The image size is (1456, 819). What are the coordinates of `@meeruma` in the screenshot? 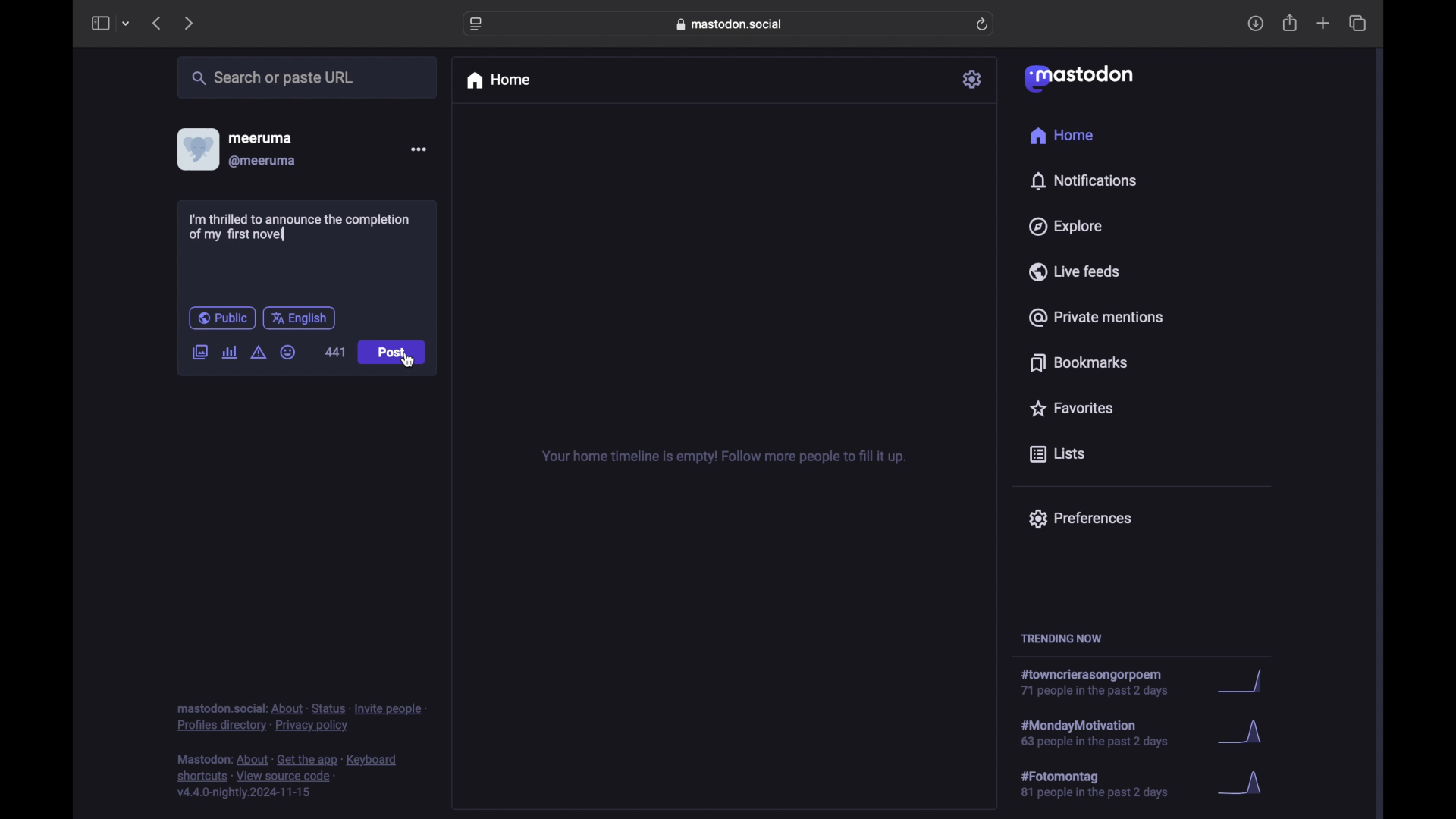 It's located at (264, 162).